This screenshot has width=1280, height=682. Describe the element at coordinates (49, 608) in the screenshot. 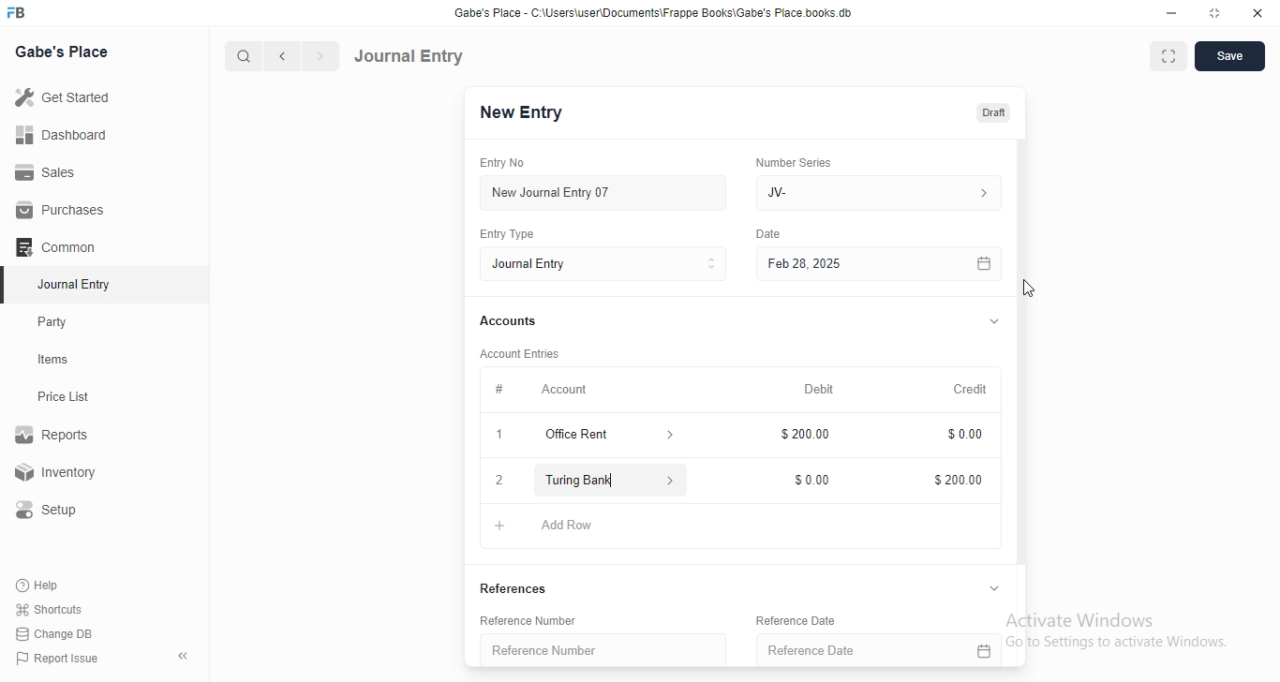

I see `Shortcuts` at that location.